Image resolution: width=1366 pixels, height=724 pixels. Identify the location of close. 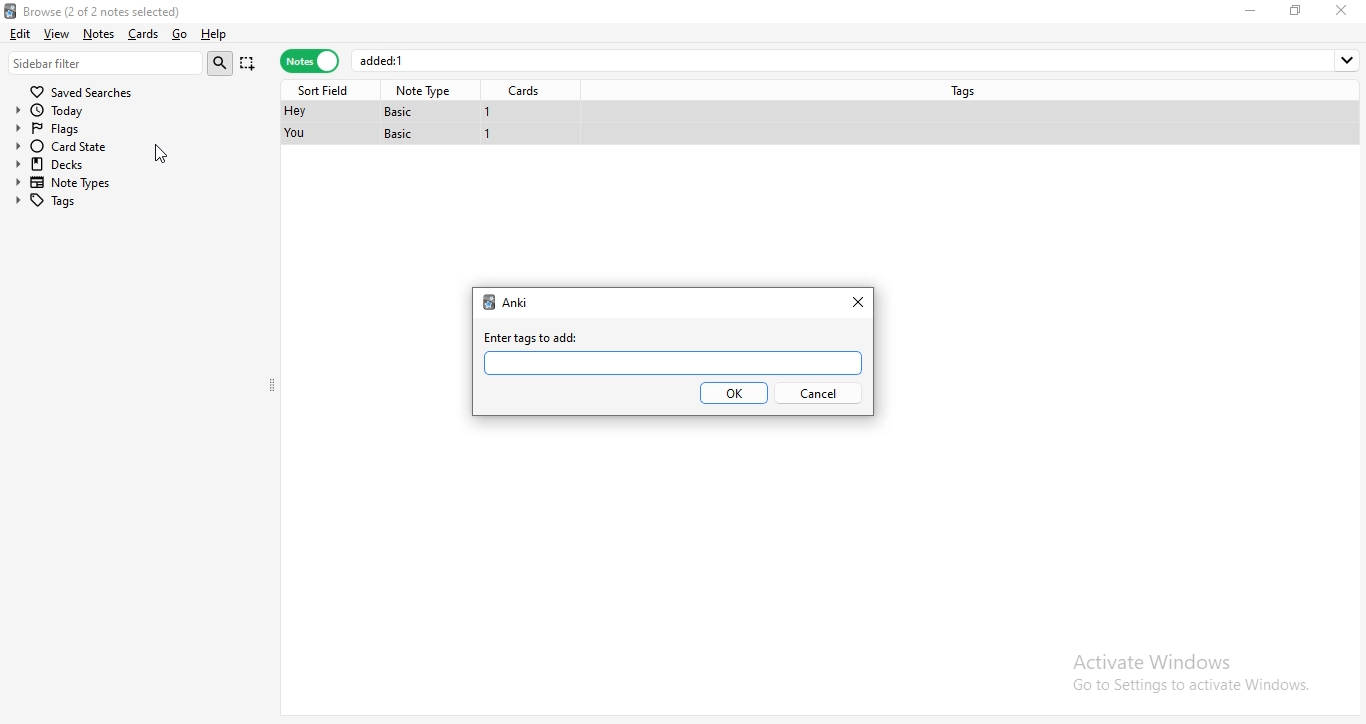
(1345, 10).